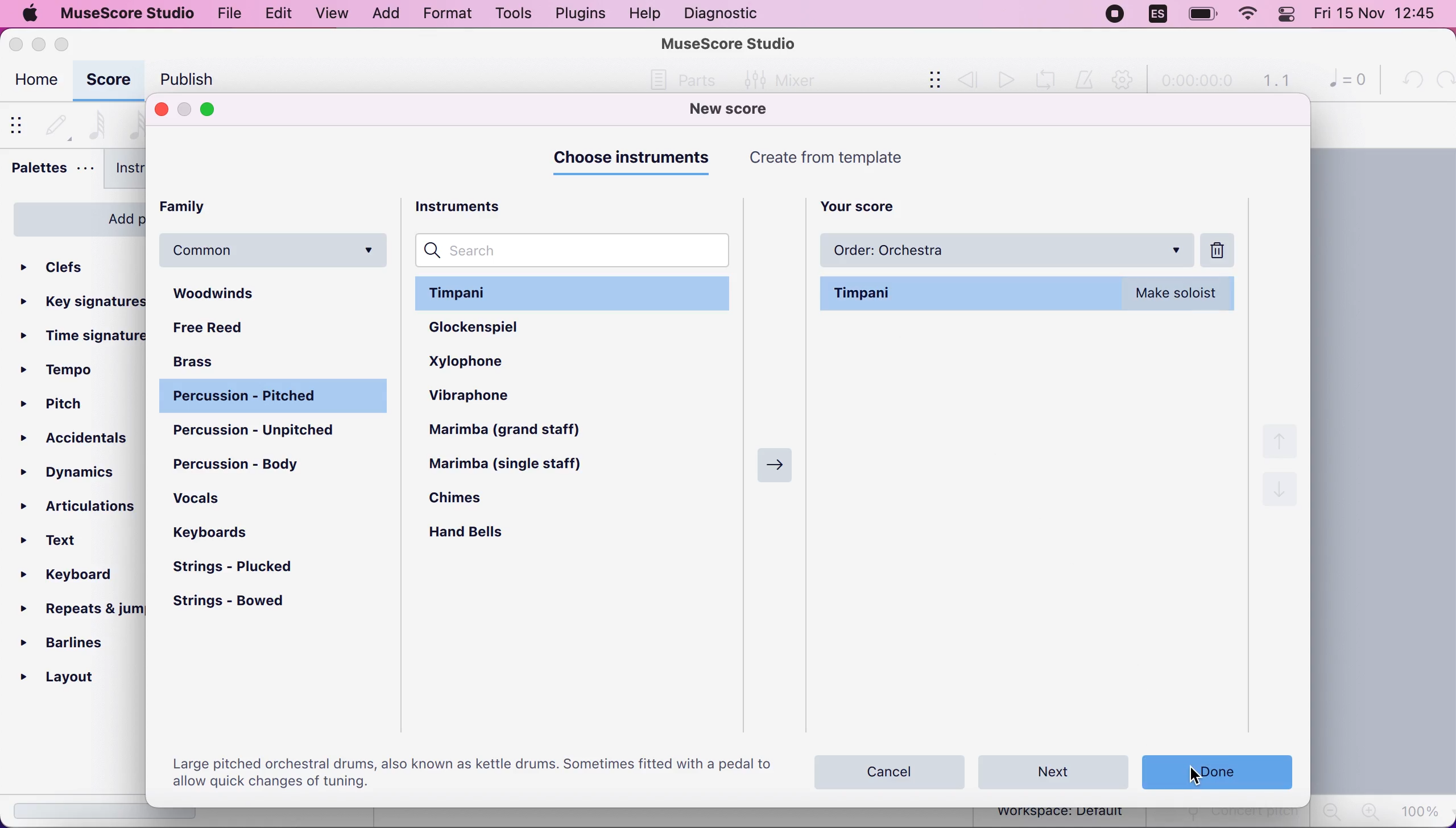 The width and height of the screenshot is (1456, 828). Describe the element at coordinates (1276, 81) in the screenshot. I see `1.1 time` at that location.